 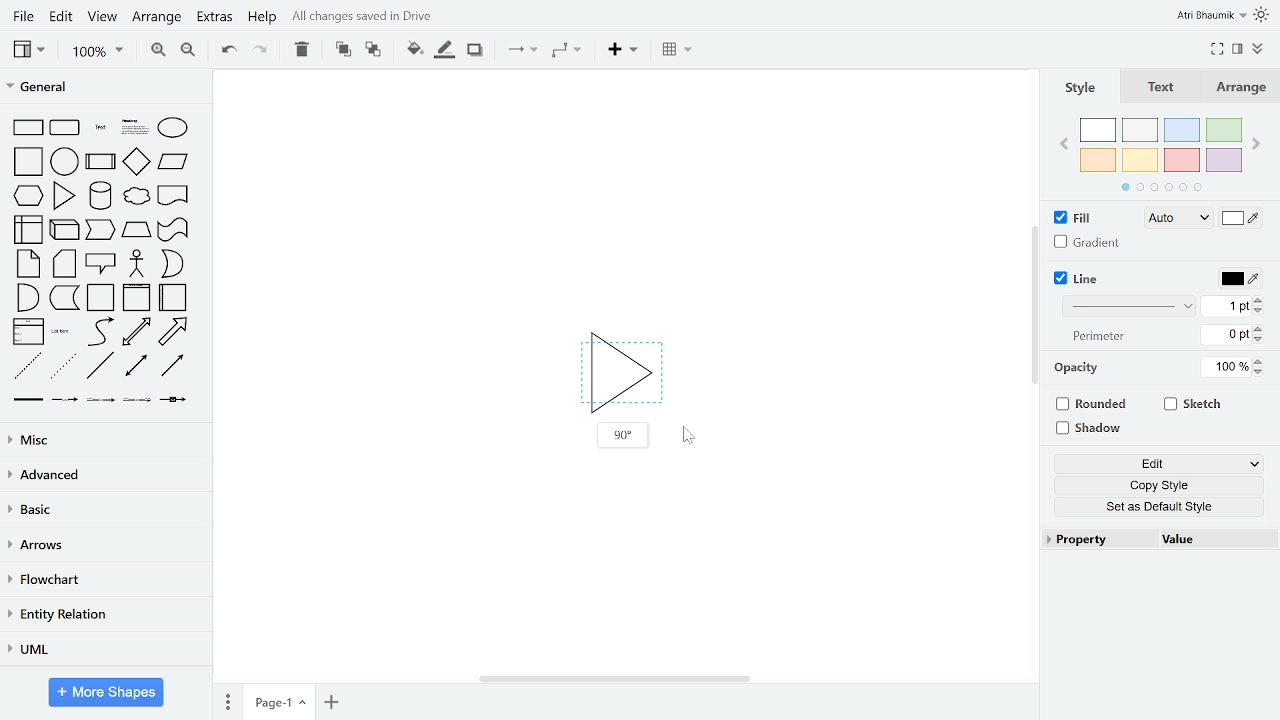 What do you see at coordinates (1162, 87) in the screenshot?
I see `text` at bounding box center [1162, 87].